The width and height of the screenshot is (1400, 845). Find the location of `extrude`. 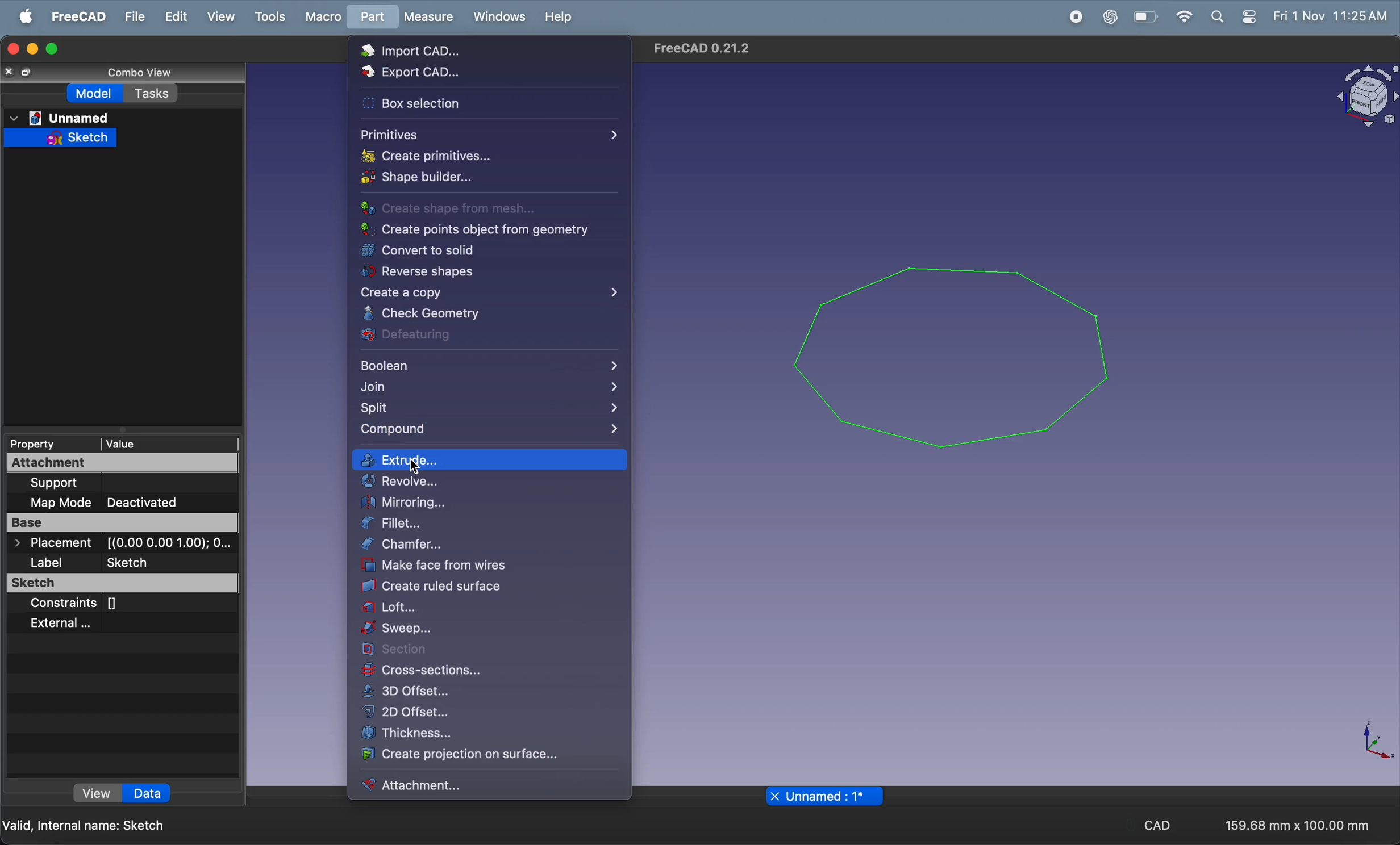

extrude is located at coordinates (491, 461).